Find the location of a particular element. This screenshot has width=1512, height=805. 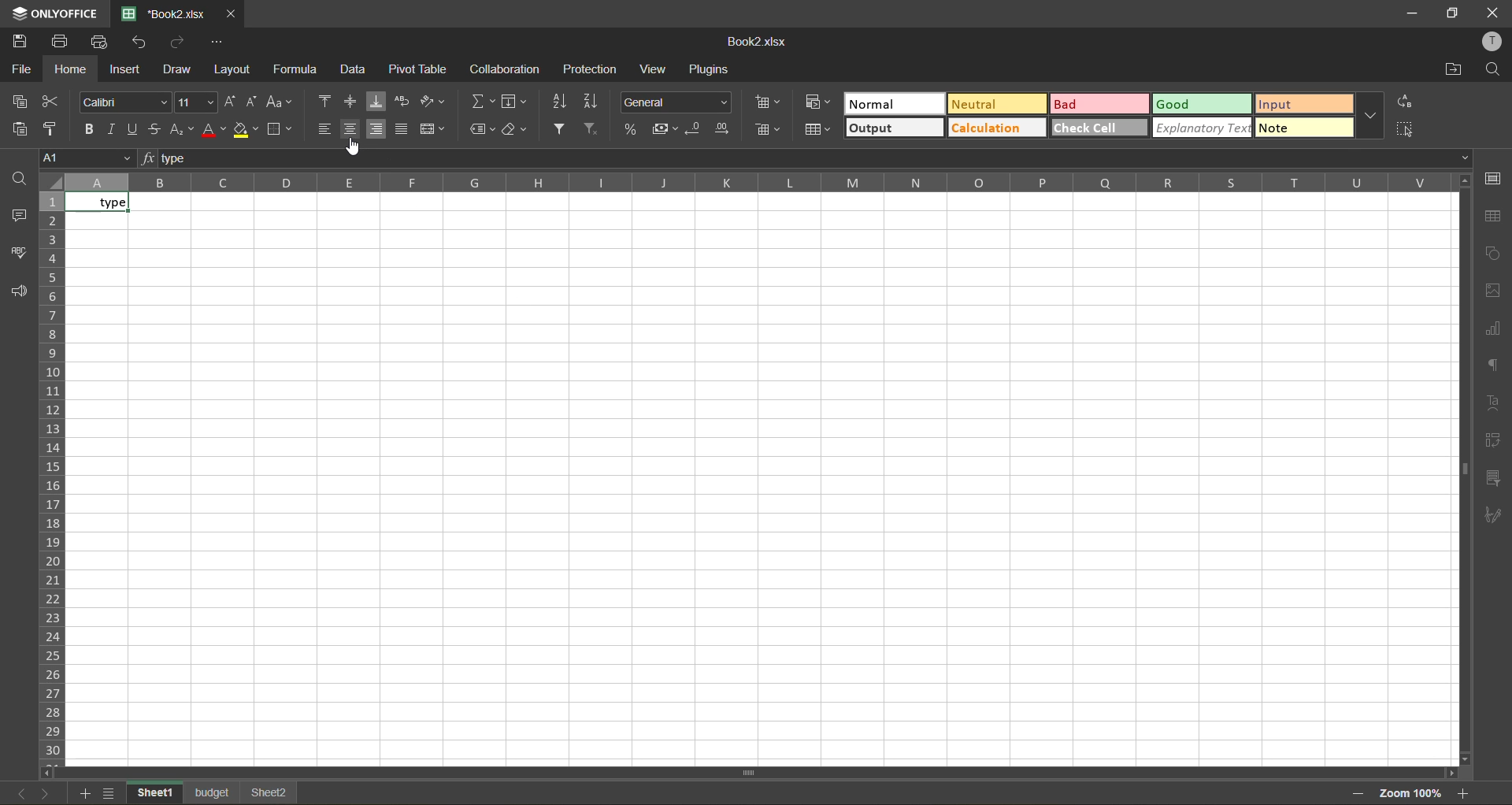

bold is located at coordinates (92, 133).